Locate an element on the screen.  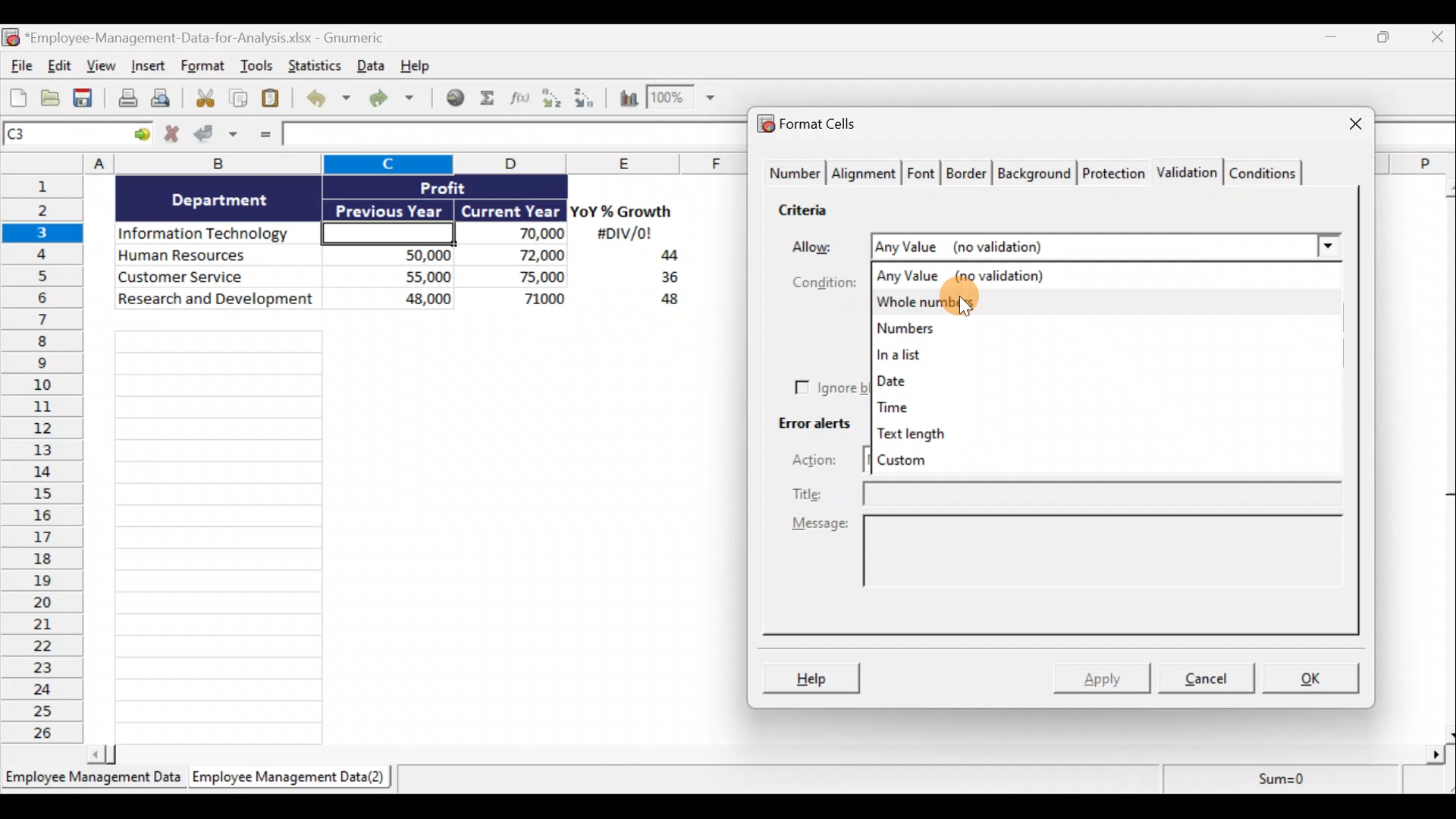
Department is located at coordinates (220, 199).